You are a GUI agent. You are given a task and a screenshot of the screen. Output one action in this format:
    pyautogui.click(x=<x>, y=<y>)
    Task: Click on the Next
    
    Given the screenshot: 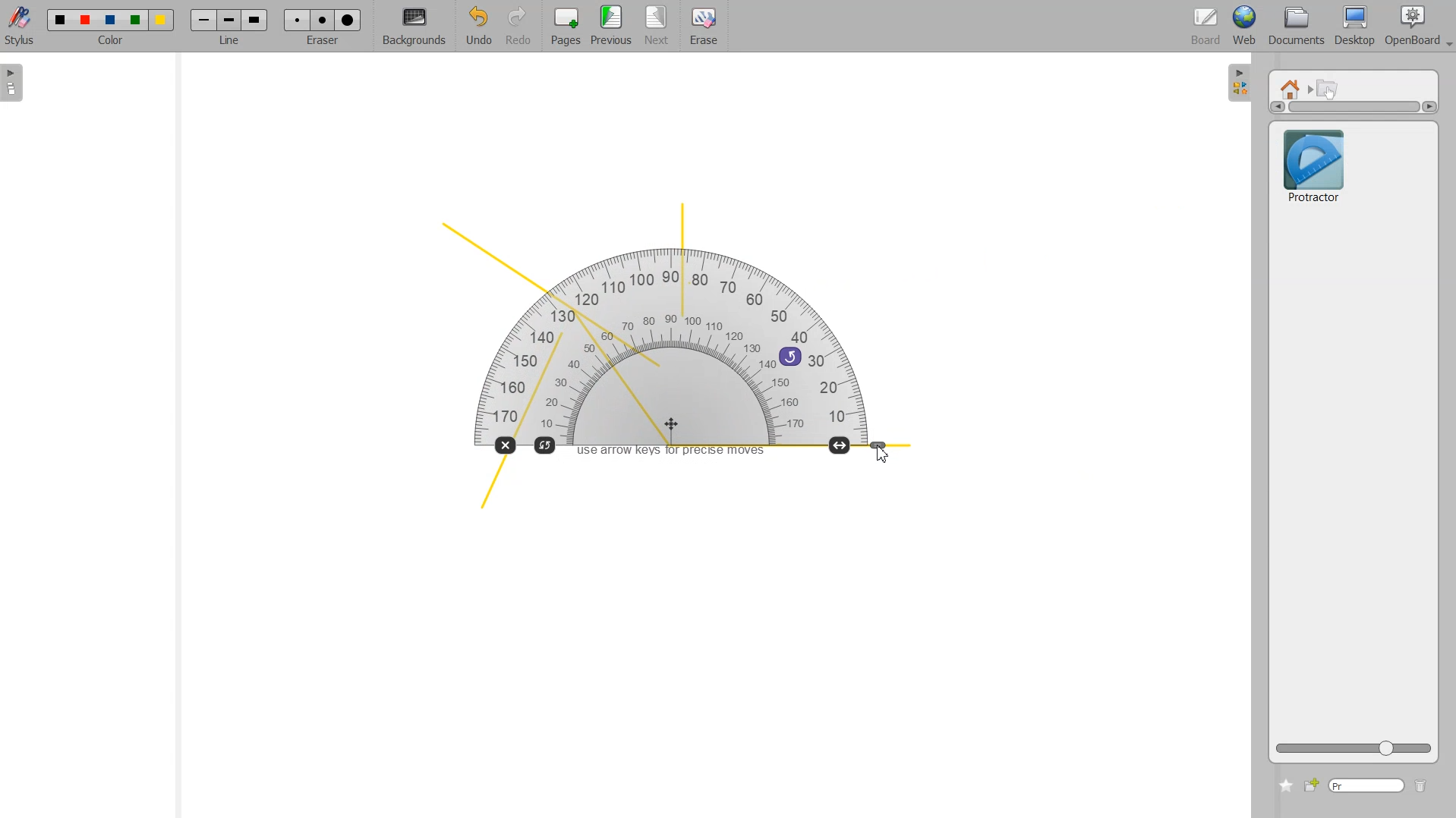 What is the action you would take?
    pyautogui.click(x=658, y=27)
    